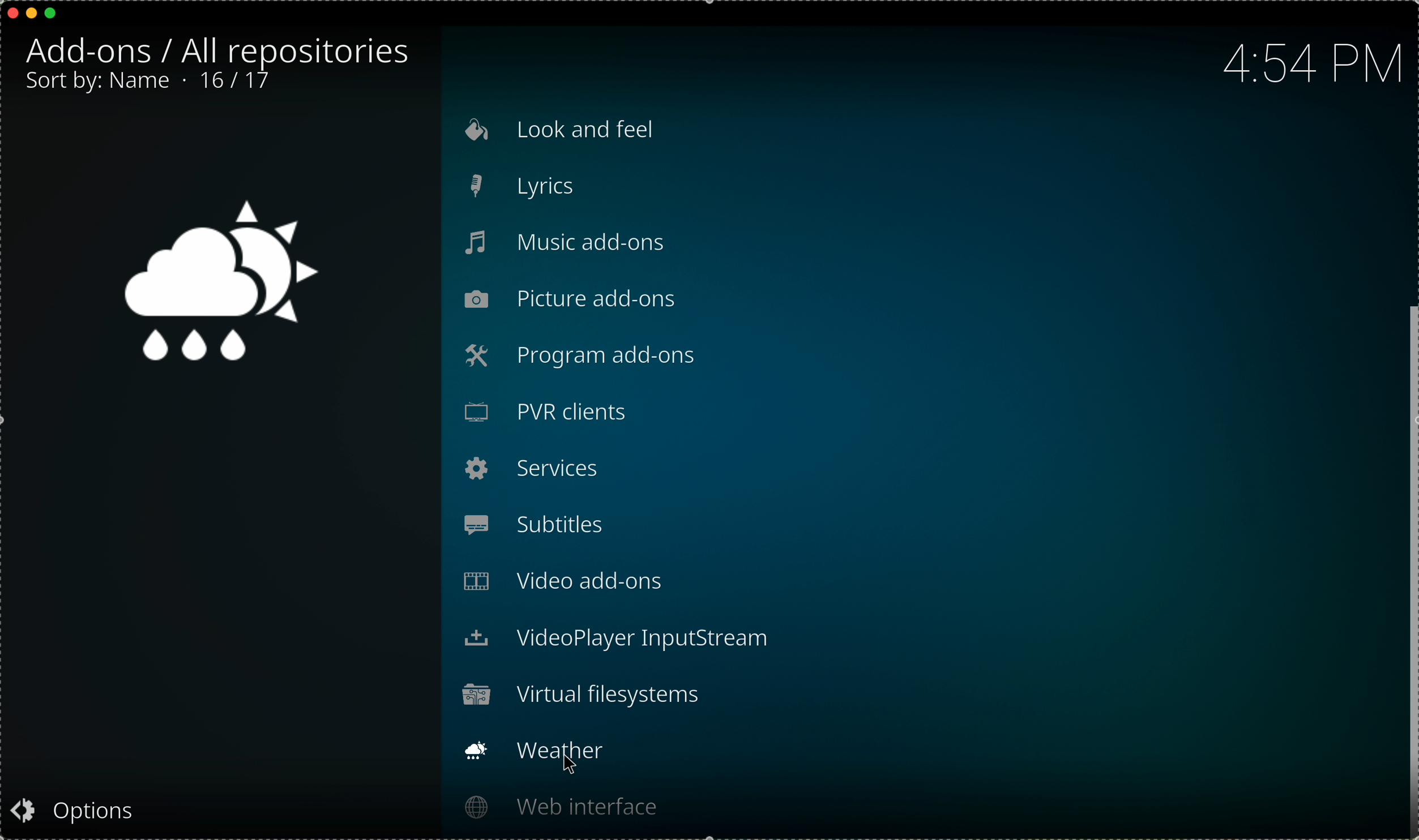  I want to click on close, so click(9, 13).